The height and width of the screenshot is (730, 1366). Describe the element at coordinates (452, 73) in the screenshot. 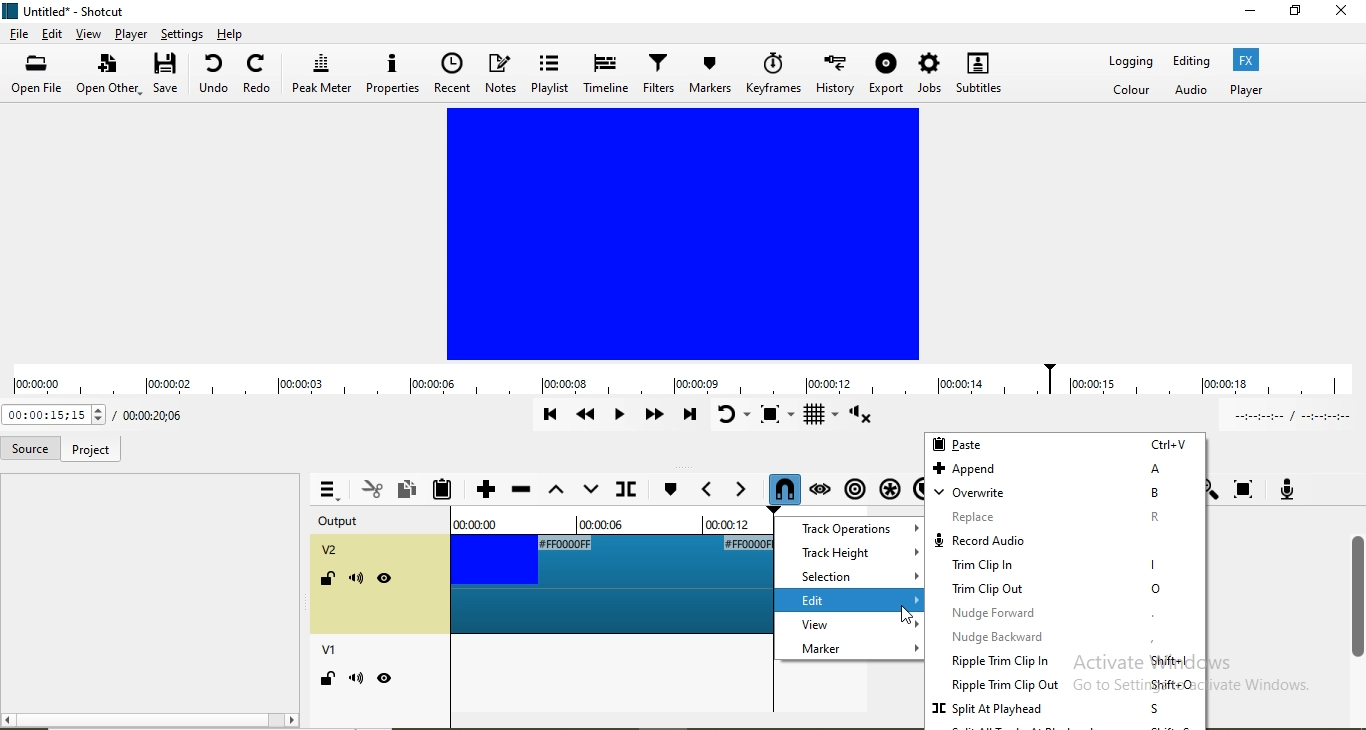

I see `recent` at that location.